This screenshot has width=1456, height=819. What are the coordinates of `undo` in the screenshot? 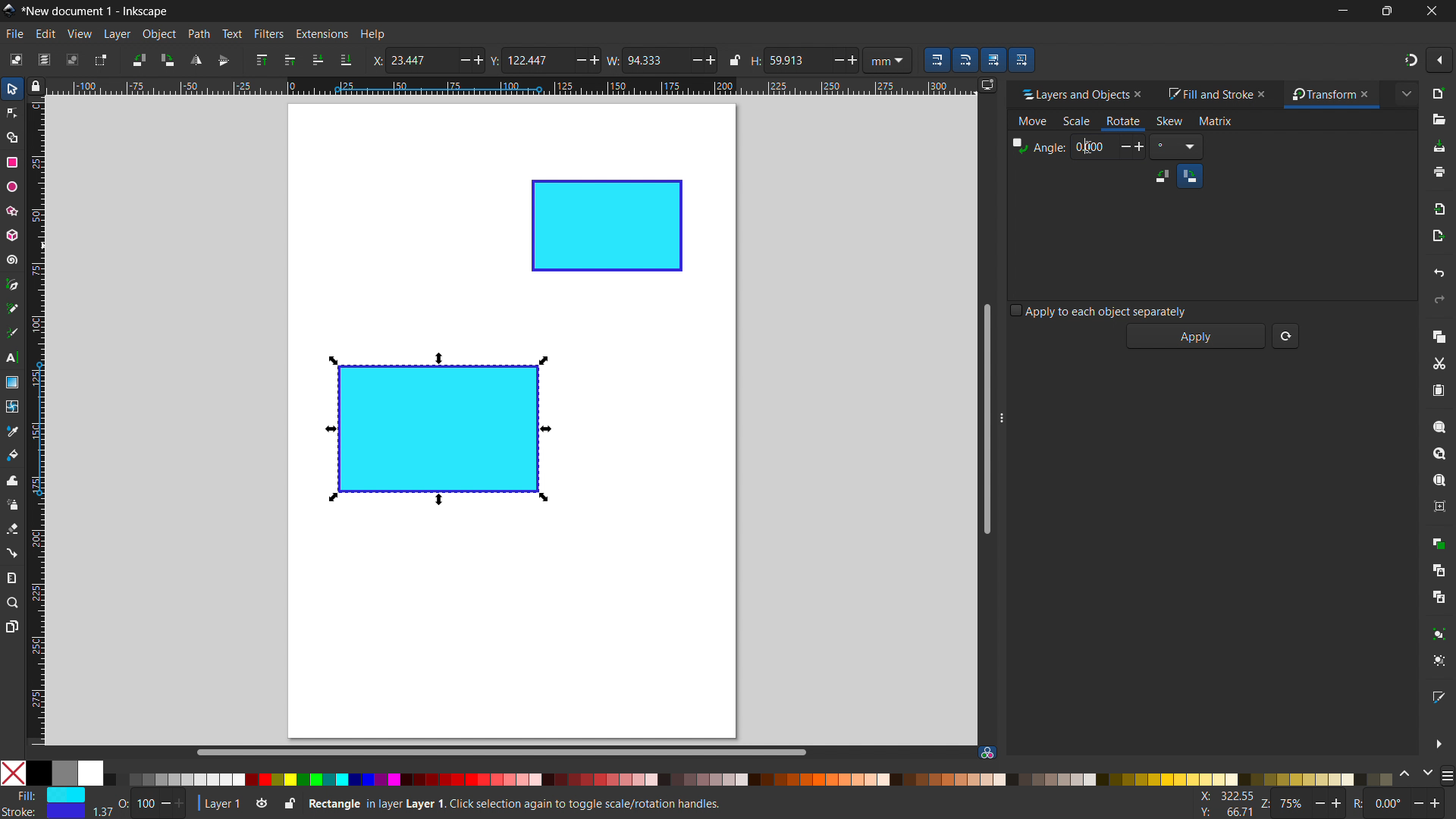 It's located at (1439, 272).